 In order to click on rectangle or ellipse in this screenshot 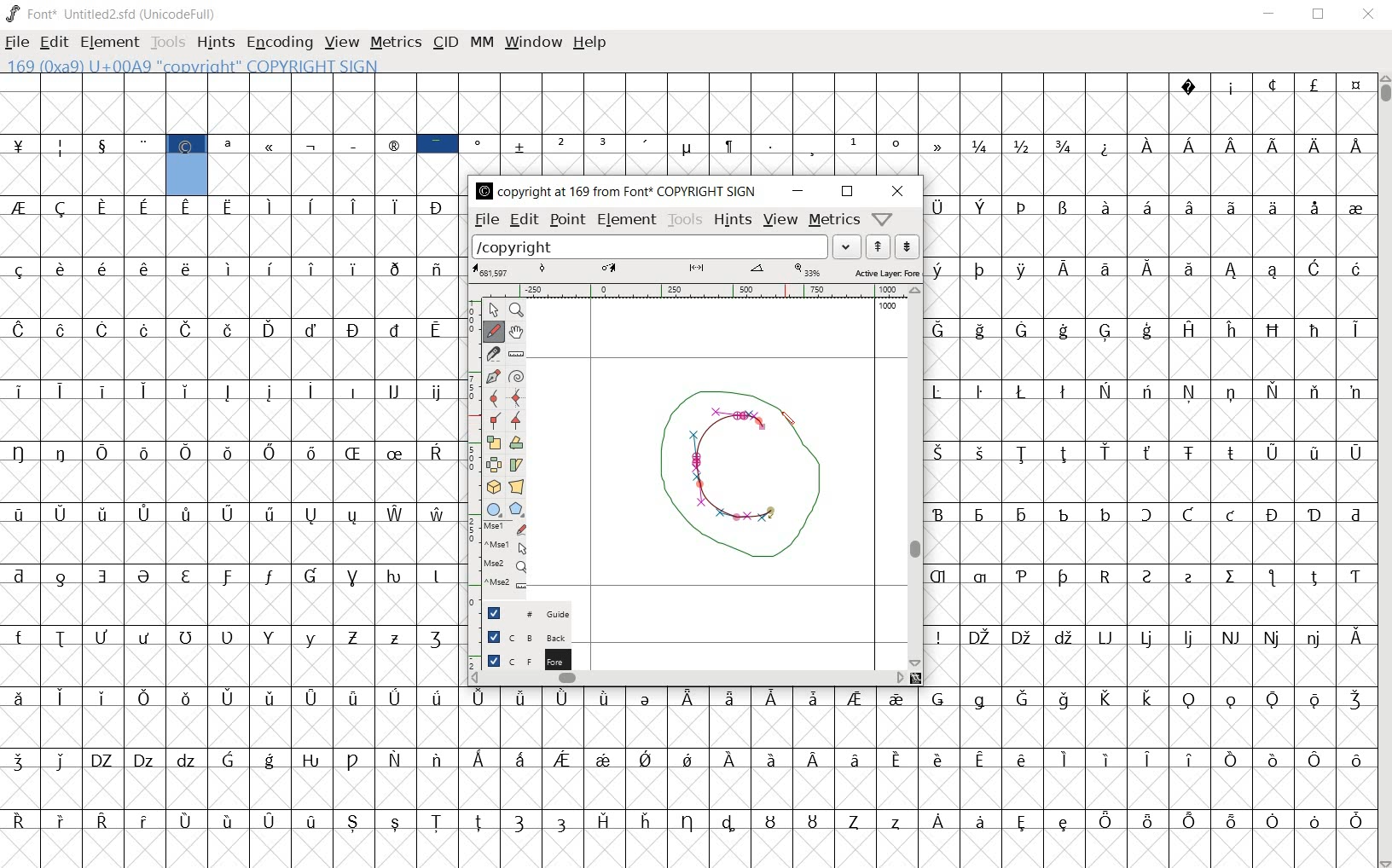, I will do `click(494, 508)`.